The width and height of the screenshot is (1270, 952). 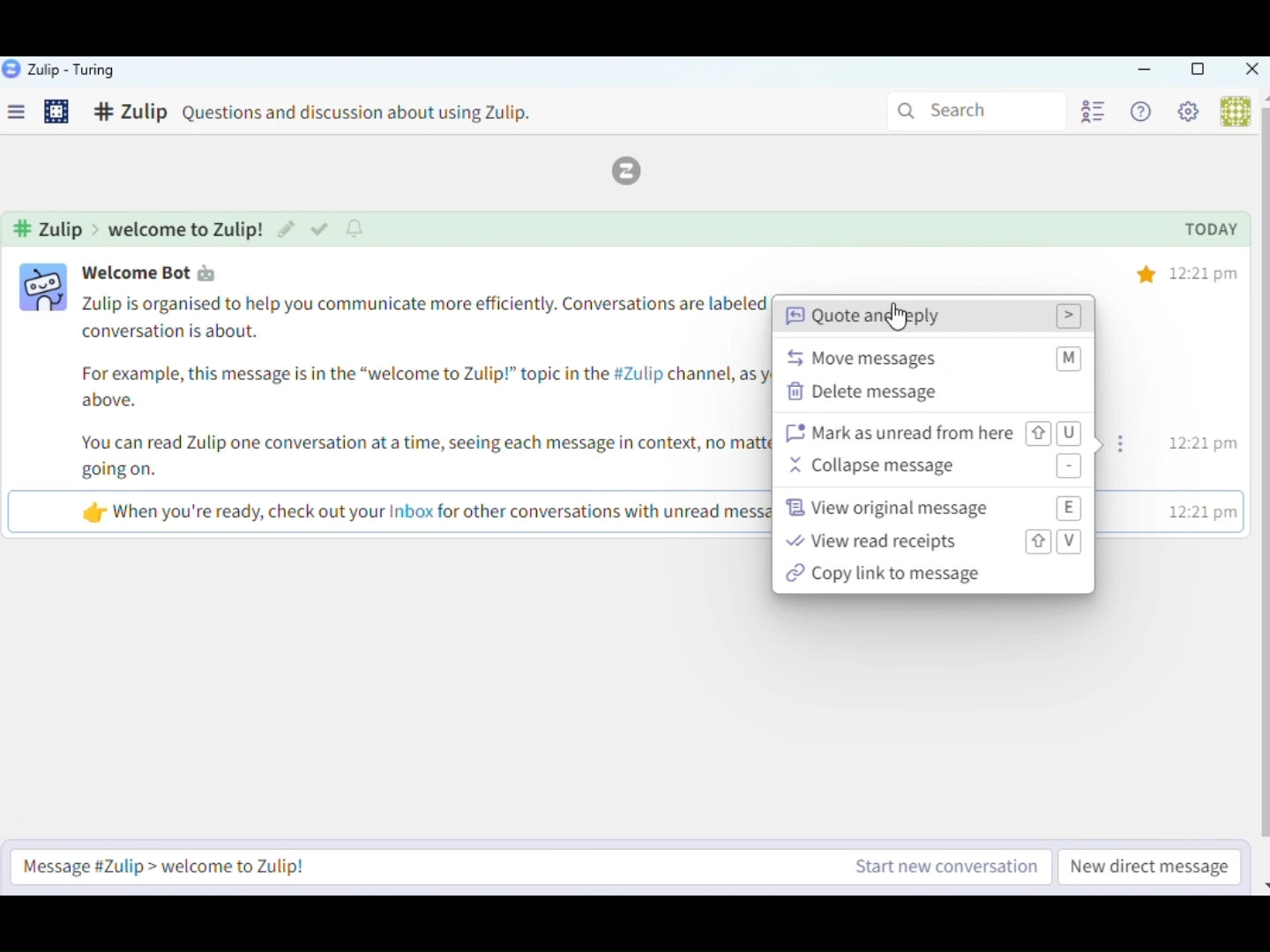 What do you see at coordinates (931, 433) in the screenshot?
I see `Mark as unread from here` at bounding box center [931, 433].